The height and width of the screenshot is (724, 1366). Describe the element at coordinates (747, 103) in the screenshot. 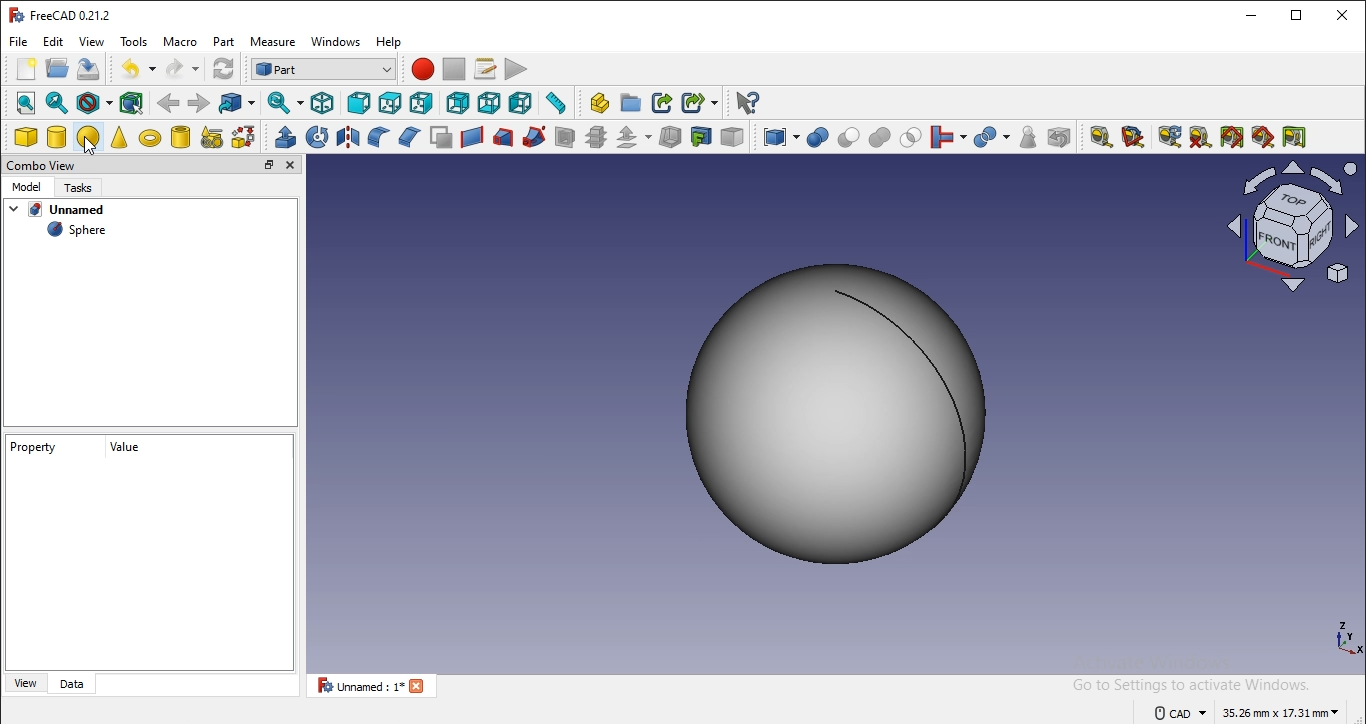

I see `what's this` at that location.